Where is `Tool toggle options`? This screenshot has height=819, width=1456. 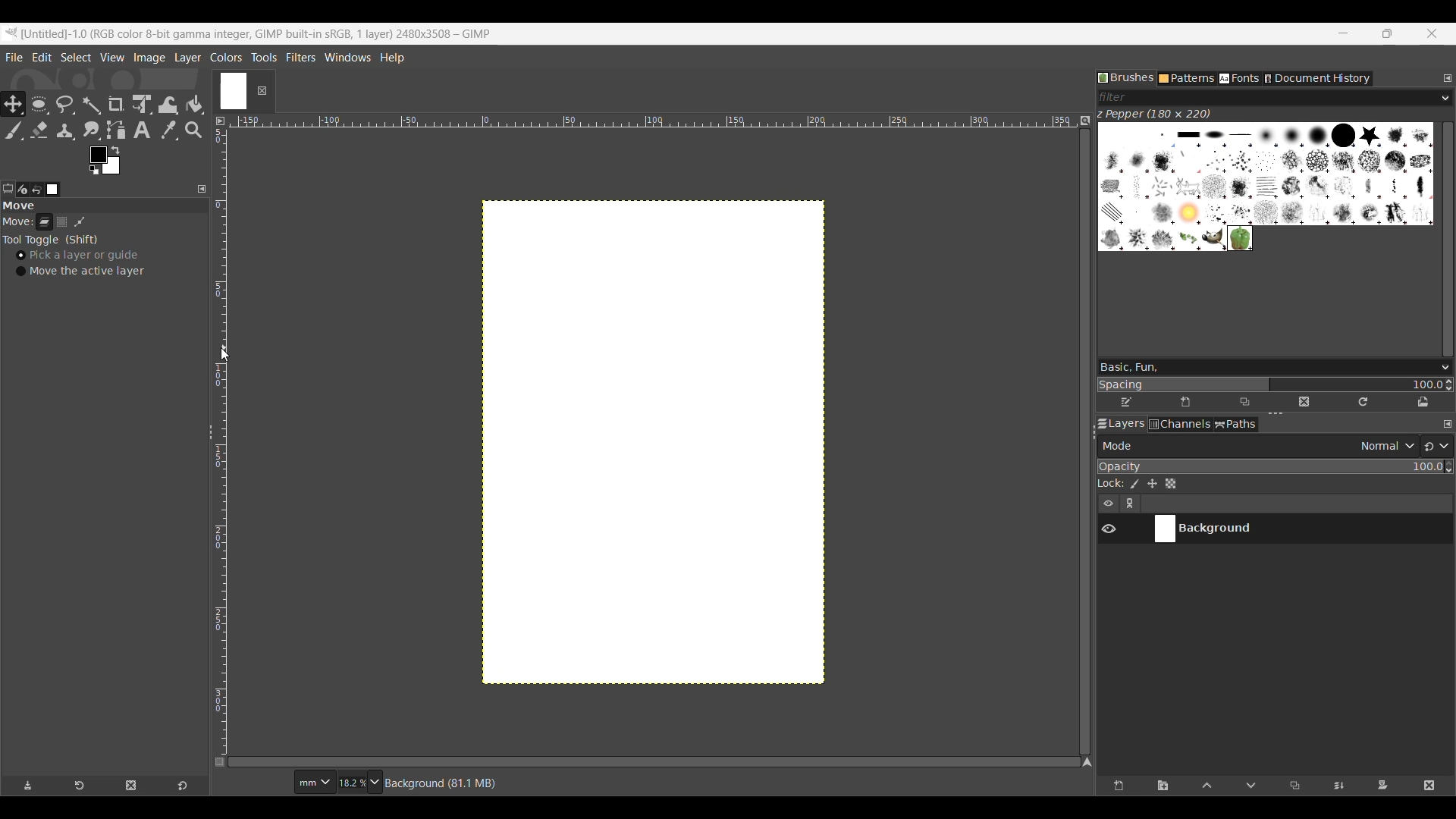
Tool toggle options is located at coordinates (50, 240).